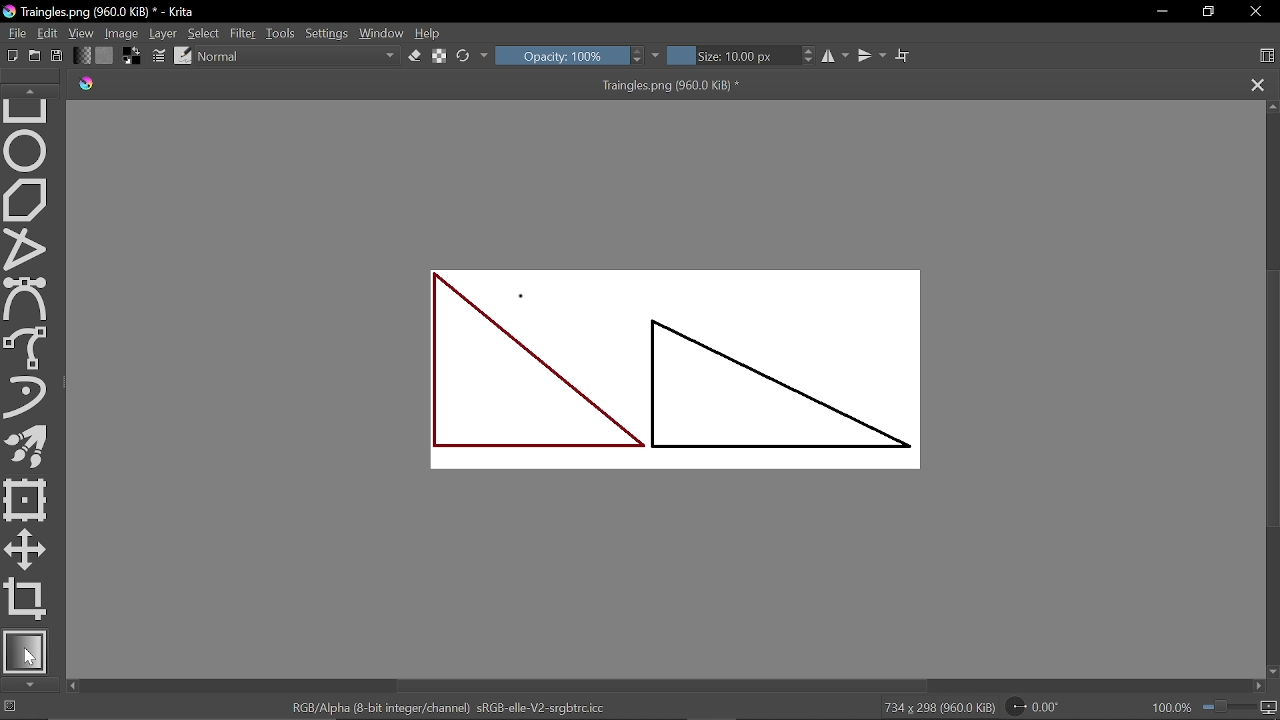 This screenshot has height=720, width=1280. I want to click on RGB/Alpha (8-bit integer/channel) sRGE-elle-V2-srgbtrc.icc, so click(452, 707).